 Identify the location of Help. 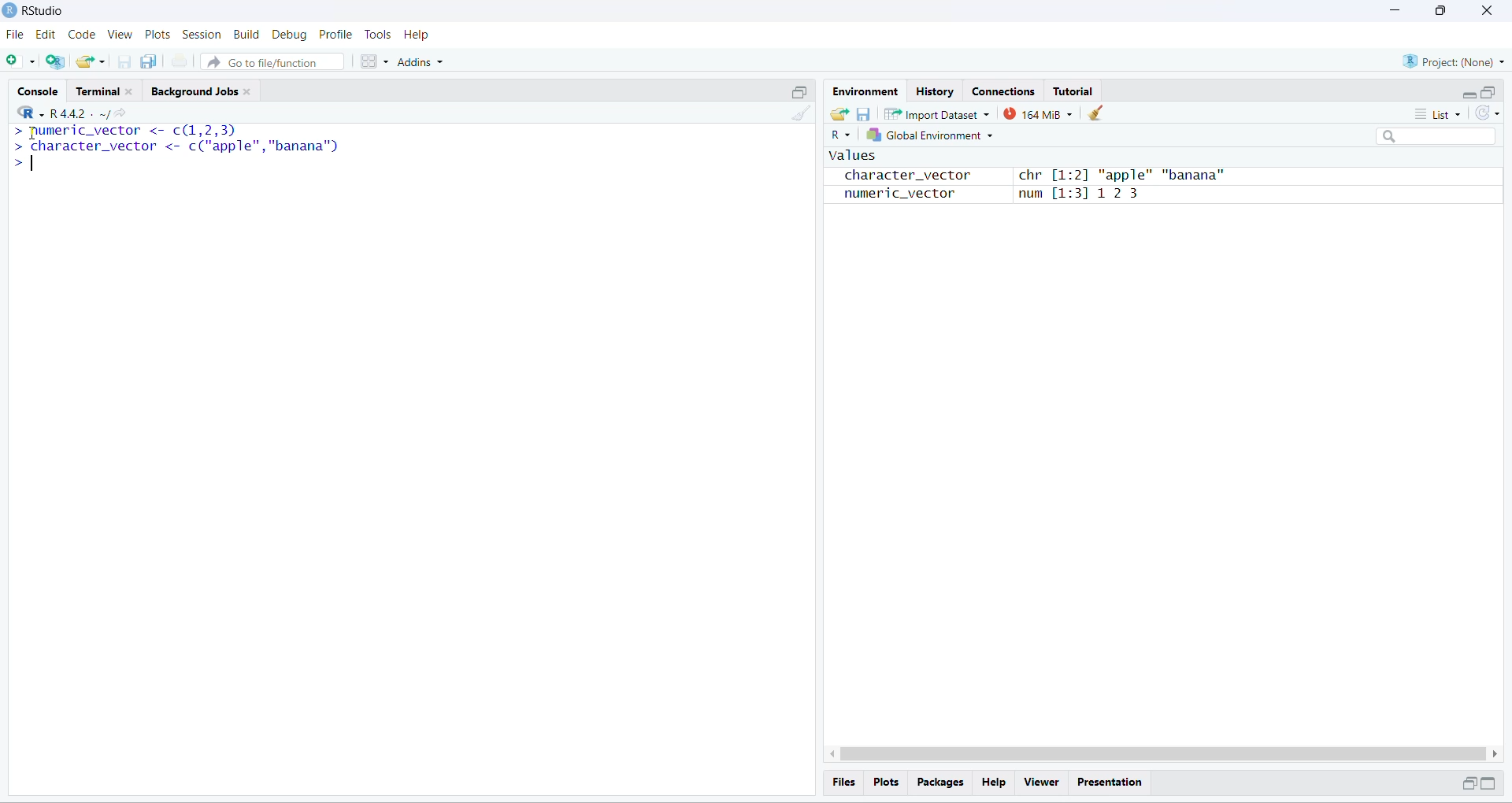
(418, 35).